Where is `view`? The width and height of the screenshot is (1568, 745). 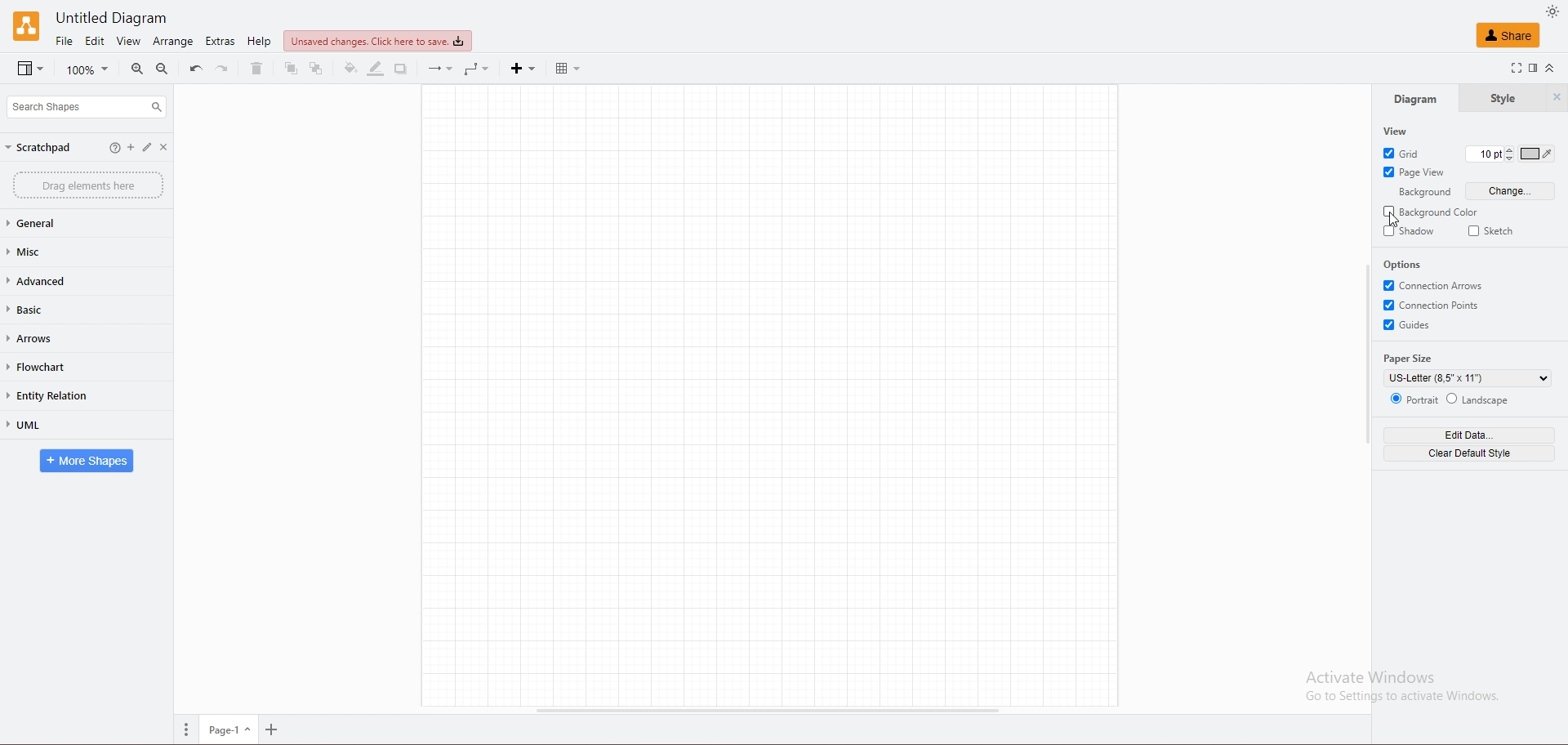 view is located at coordinates (31, 69).